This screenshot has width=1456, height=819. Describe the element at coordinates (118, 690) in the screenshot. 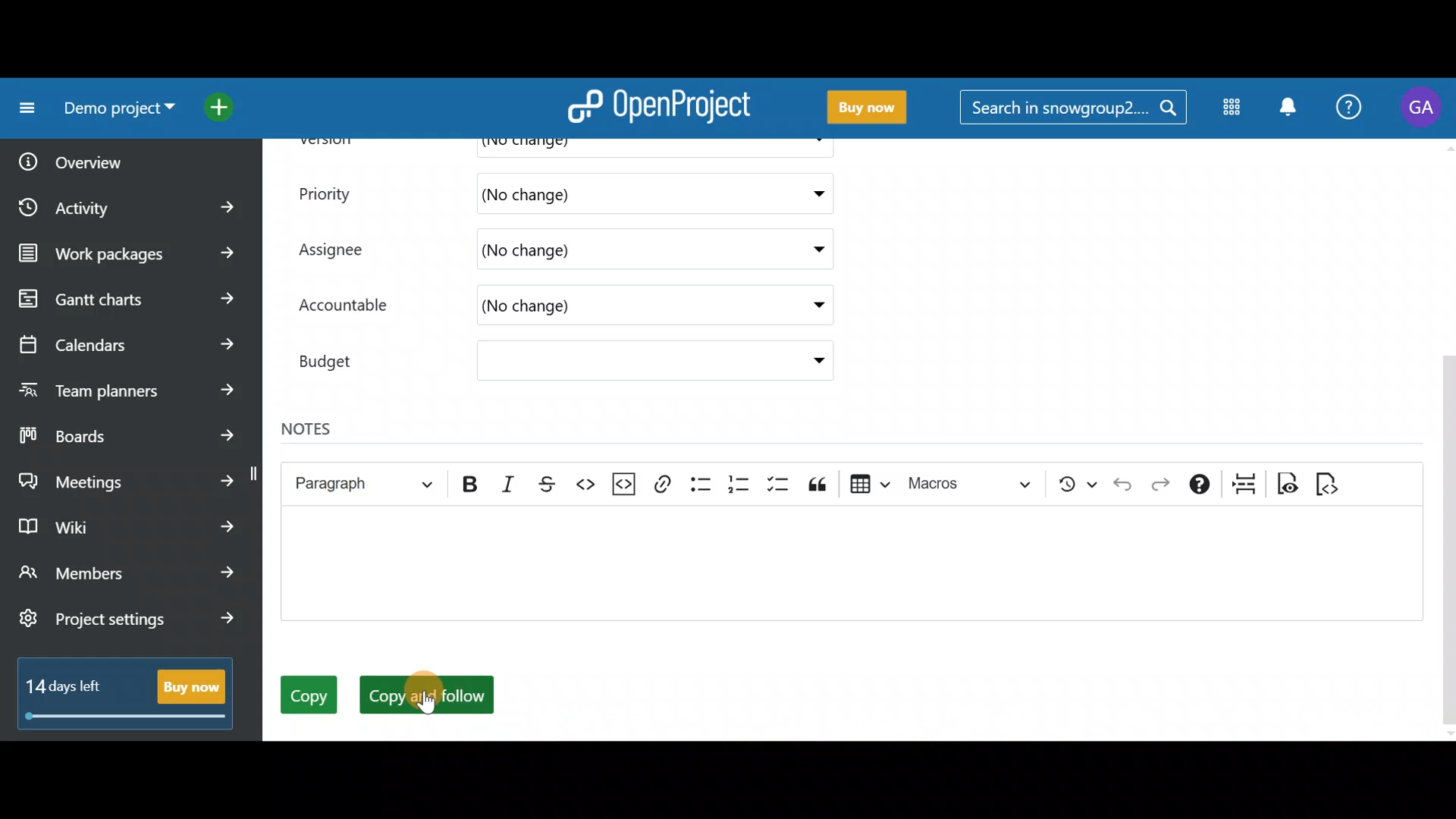

I see `14 days left - Buy now` at that location.